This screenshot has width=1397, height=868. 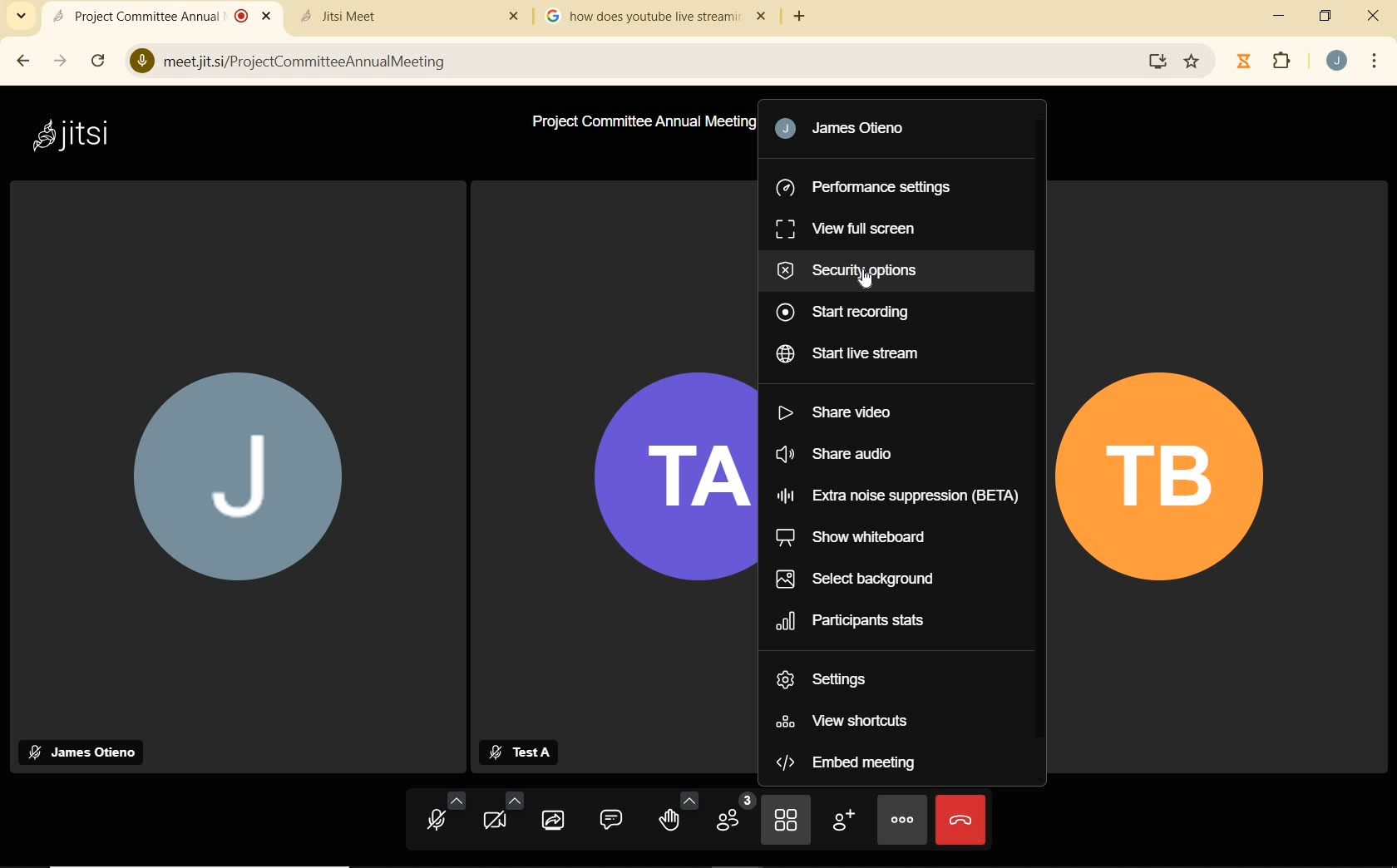 I want to click on Jitsi Meet, so click(x=412, y=14).